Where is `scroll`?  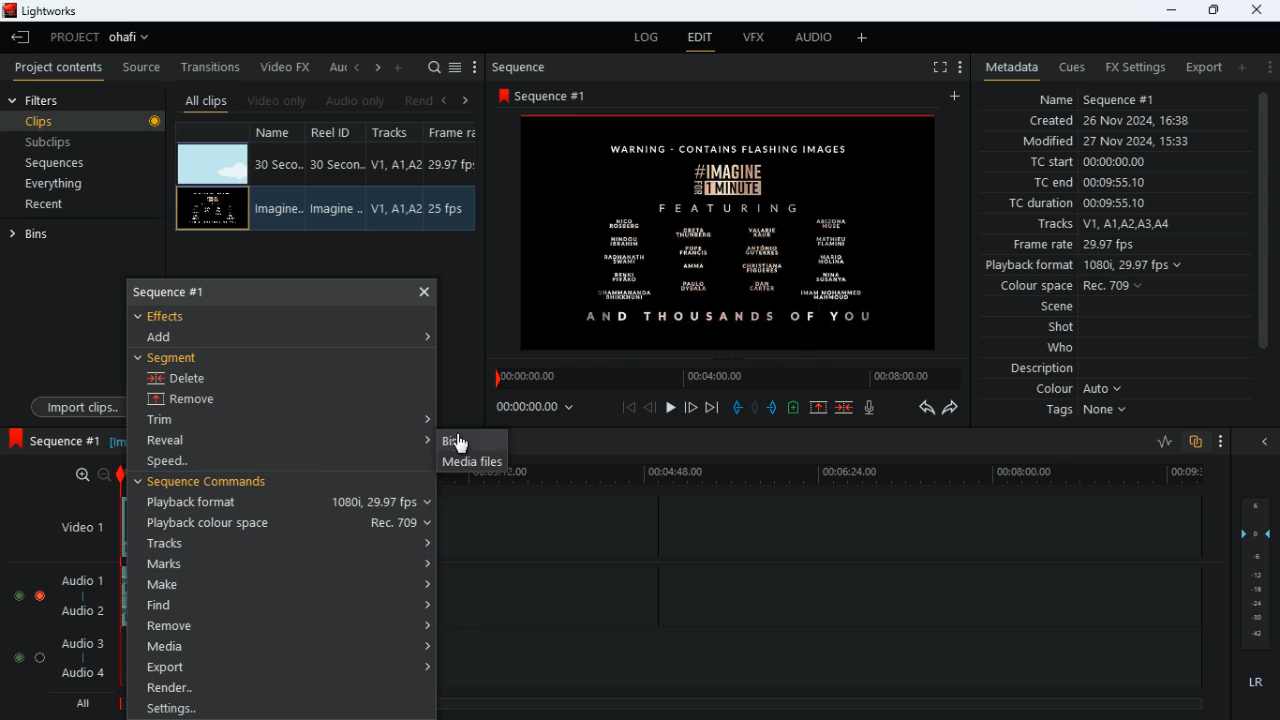 scroll is located at coordinates (1261, 234).